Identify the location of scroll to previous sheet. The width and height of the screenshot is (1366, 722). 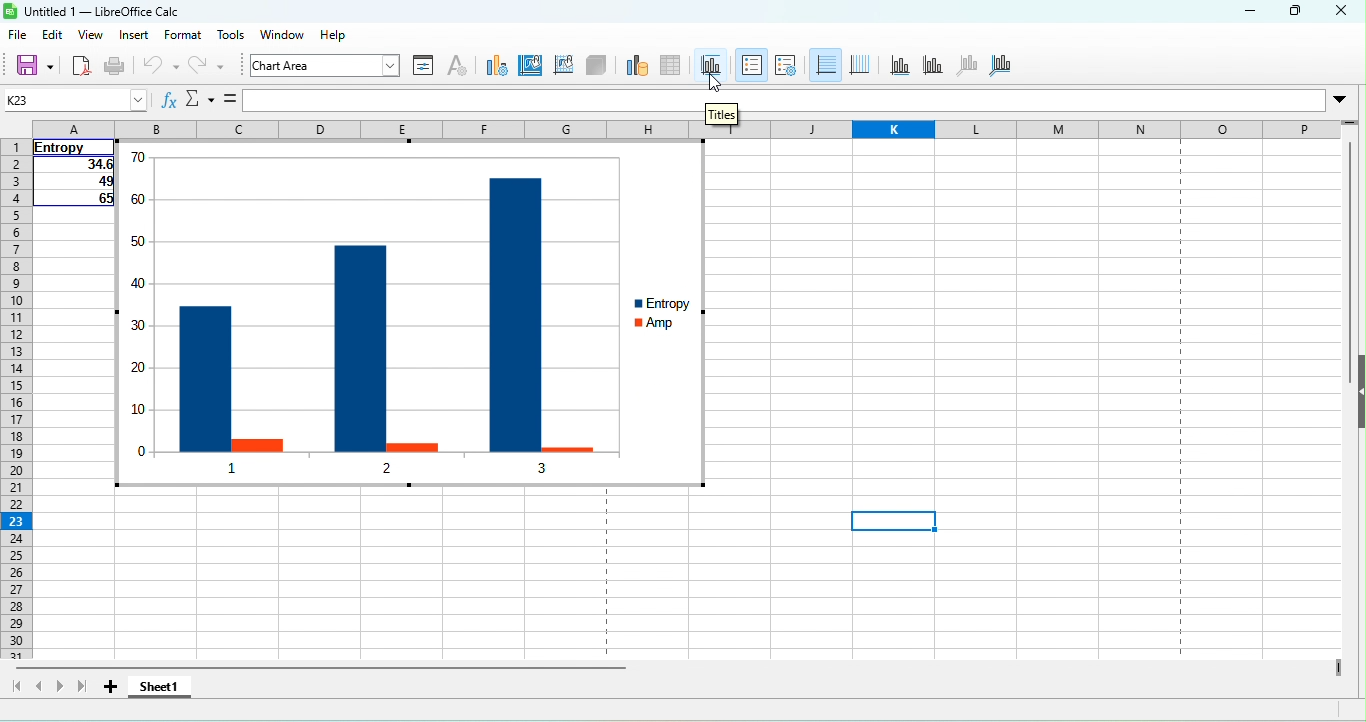
(40, 686).